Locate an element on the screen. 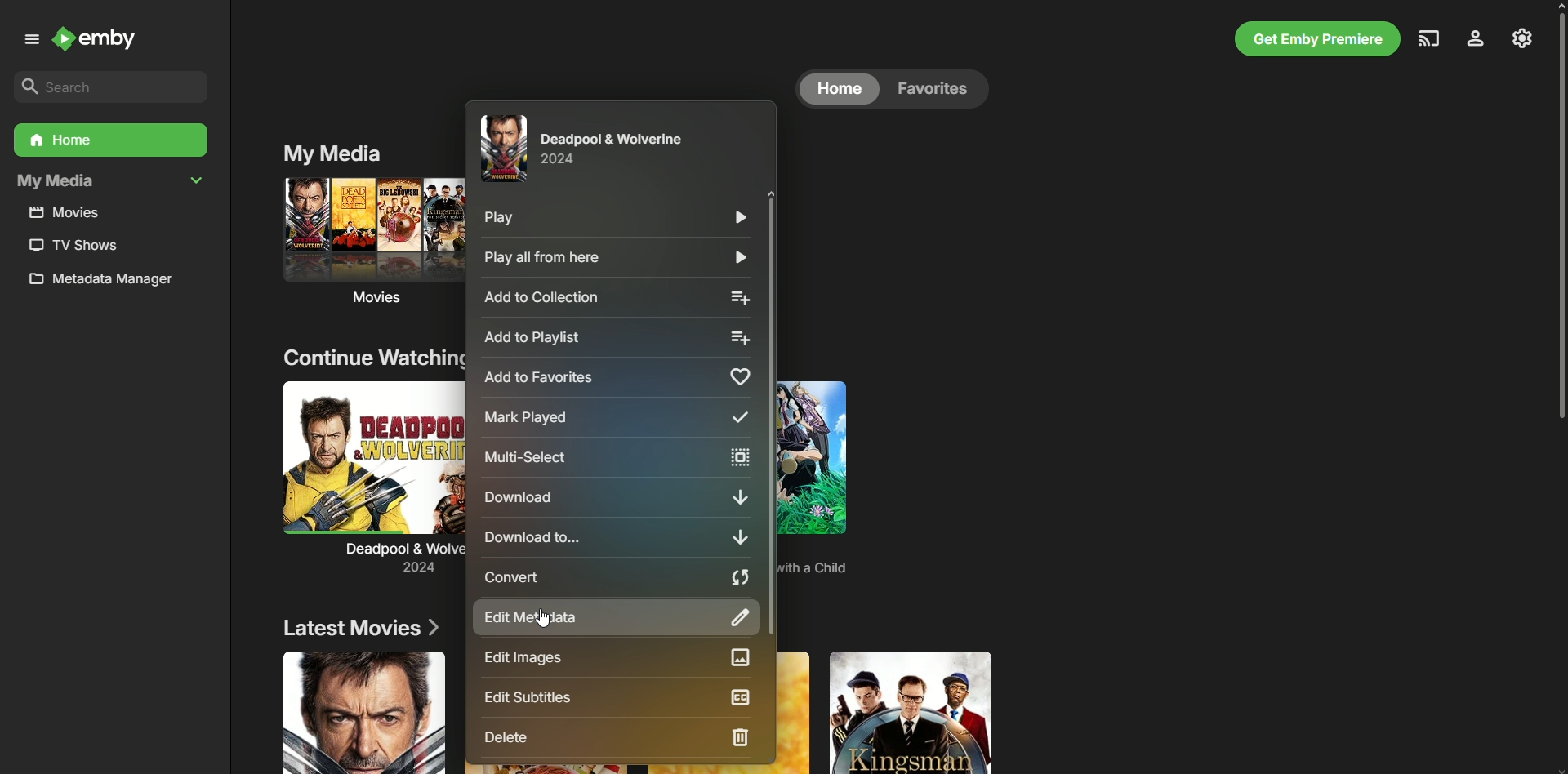 The height and width of the screenshot is (774, 1568). 2024 is located at coordinates (390, 567).